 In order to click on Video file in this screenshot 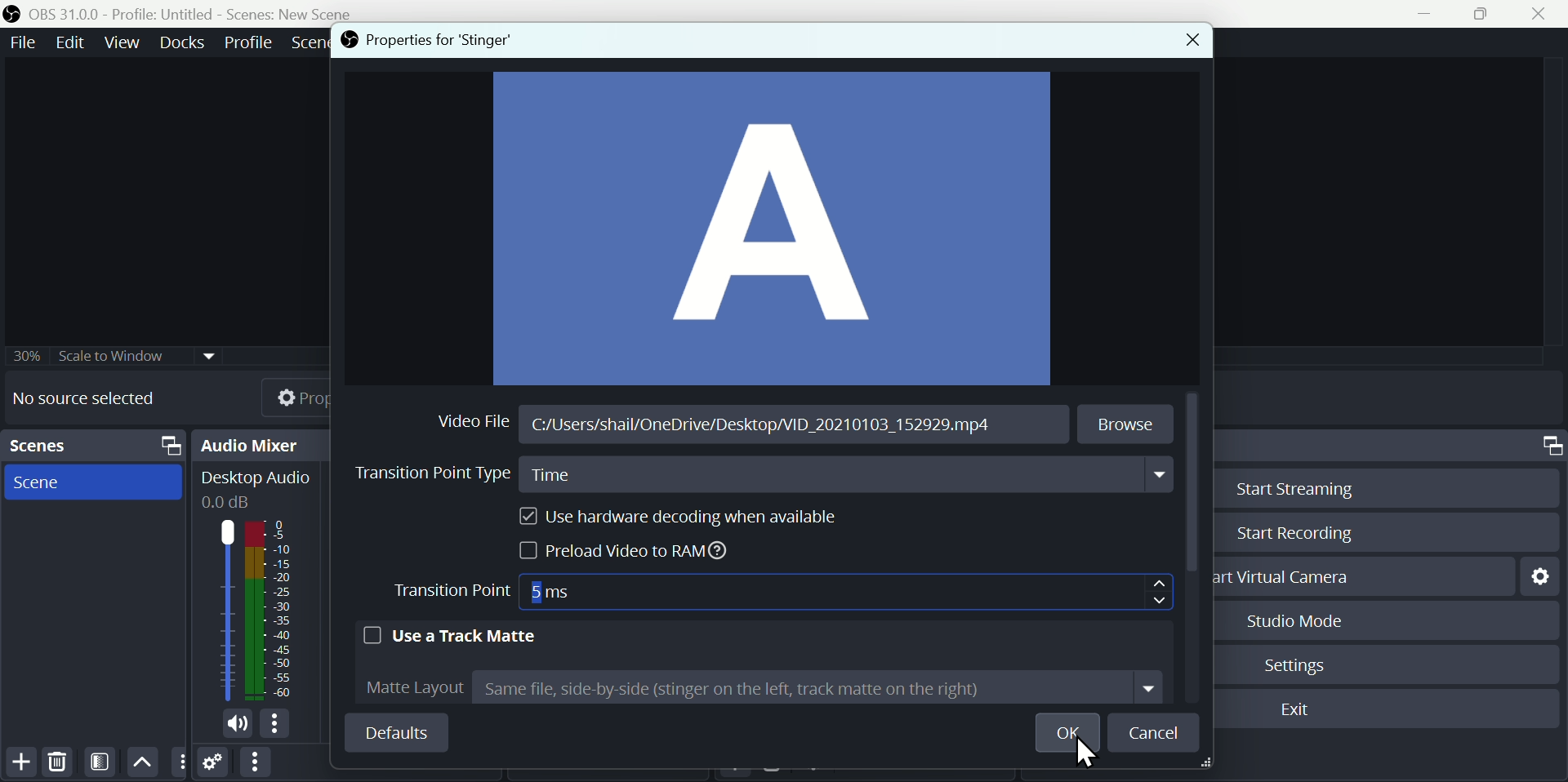, I will do `click(476, 418)`.